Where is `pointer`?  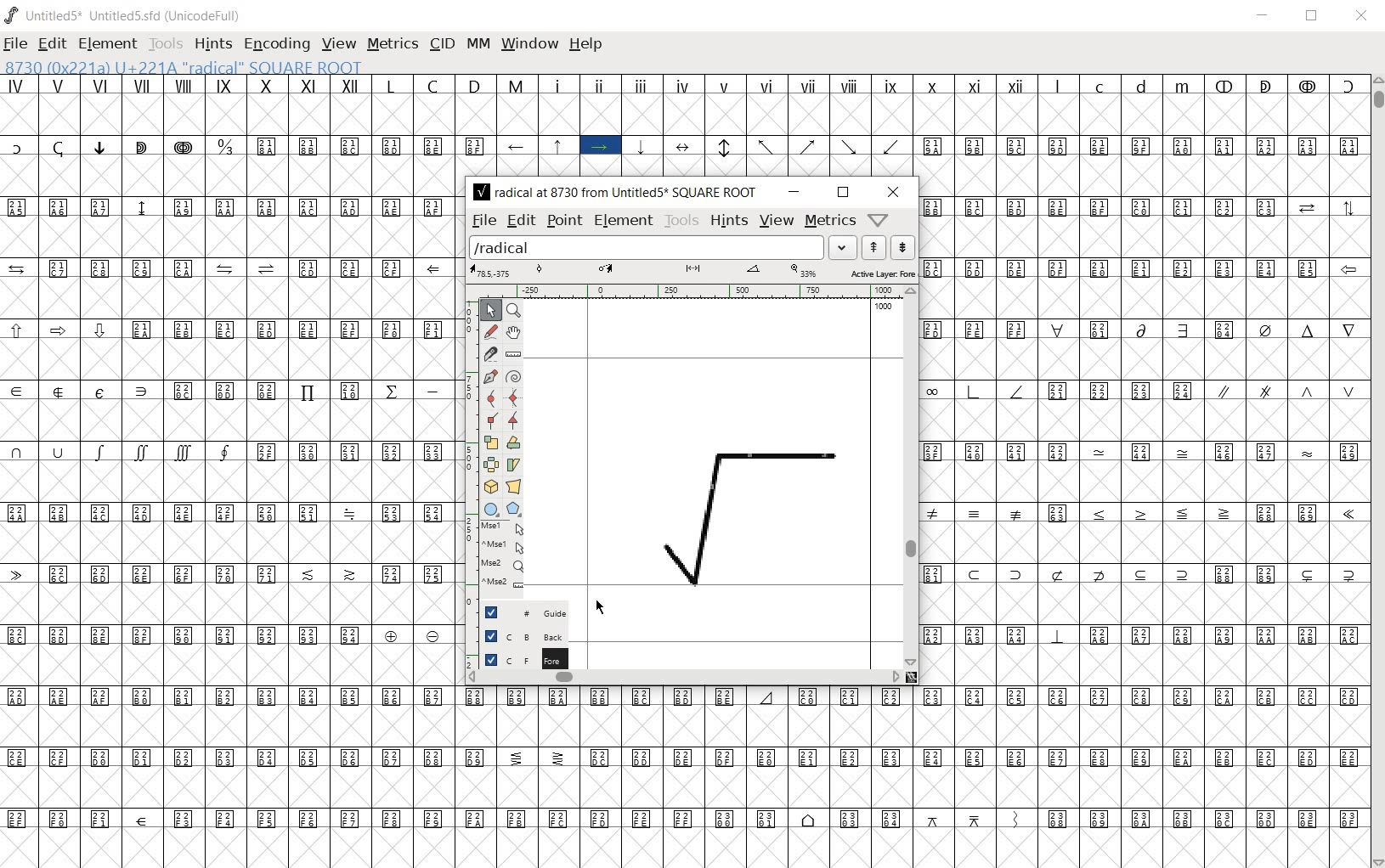
pointer is located at coordinates (492, 308).